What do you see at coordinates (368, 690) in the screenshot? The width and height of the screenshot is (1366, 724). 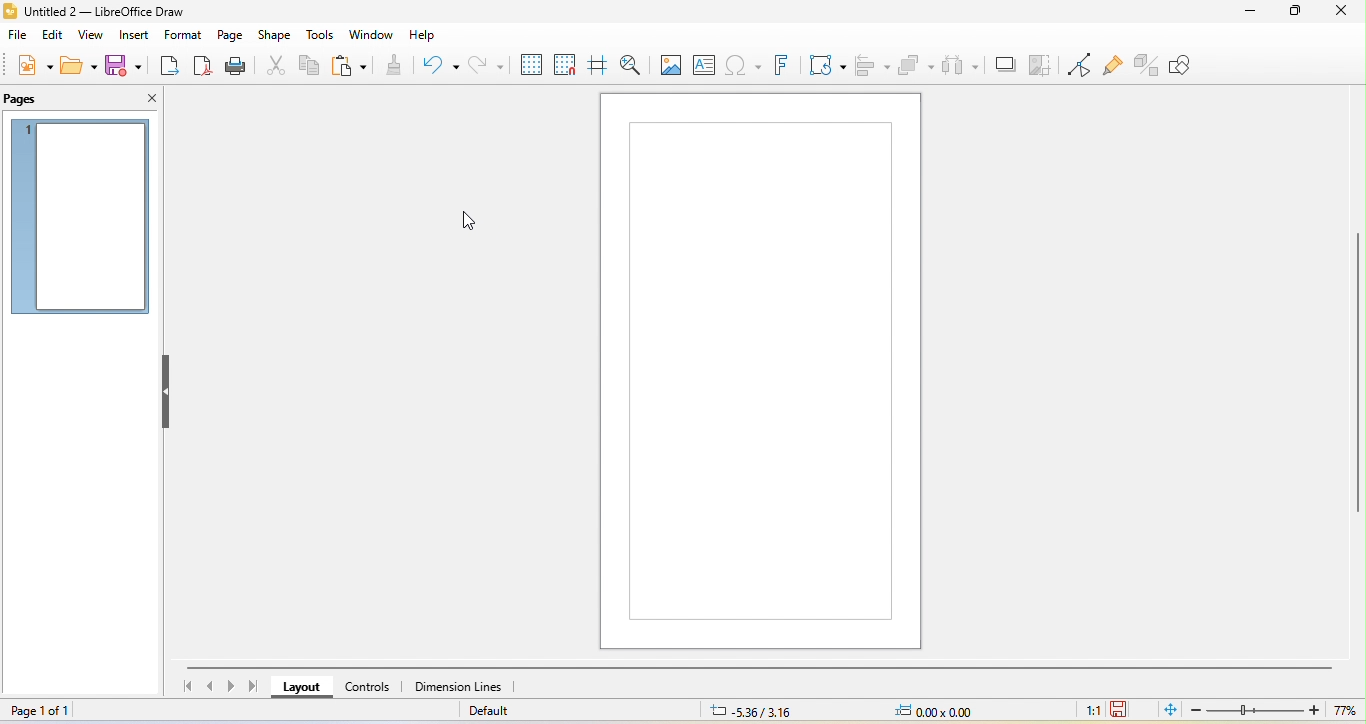 I see `control` at bounding box center [368, 690].